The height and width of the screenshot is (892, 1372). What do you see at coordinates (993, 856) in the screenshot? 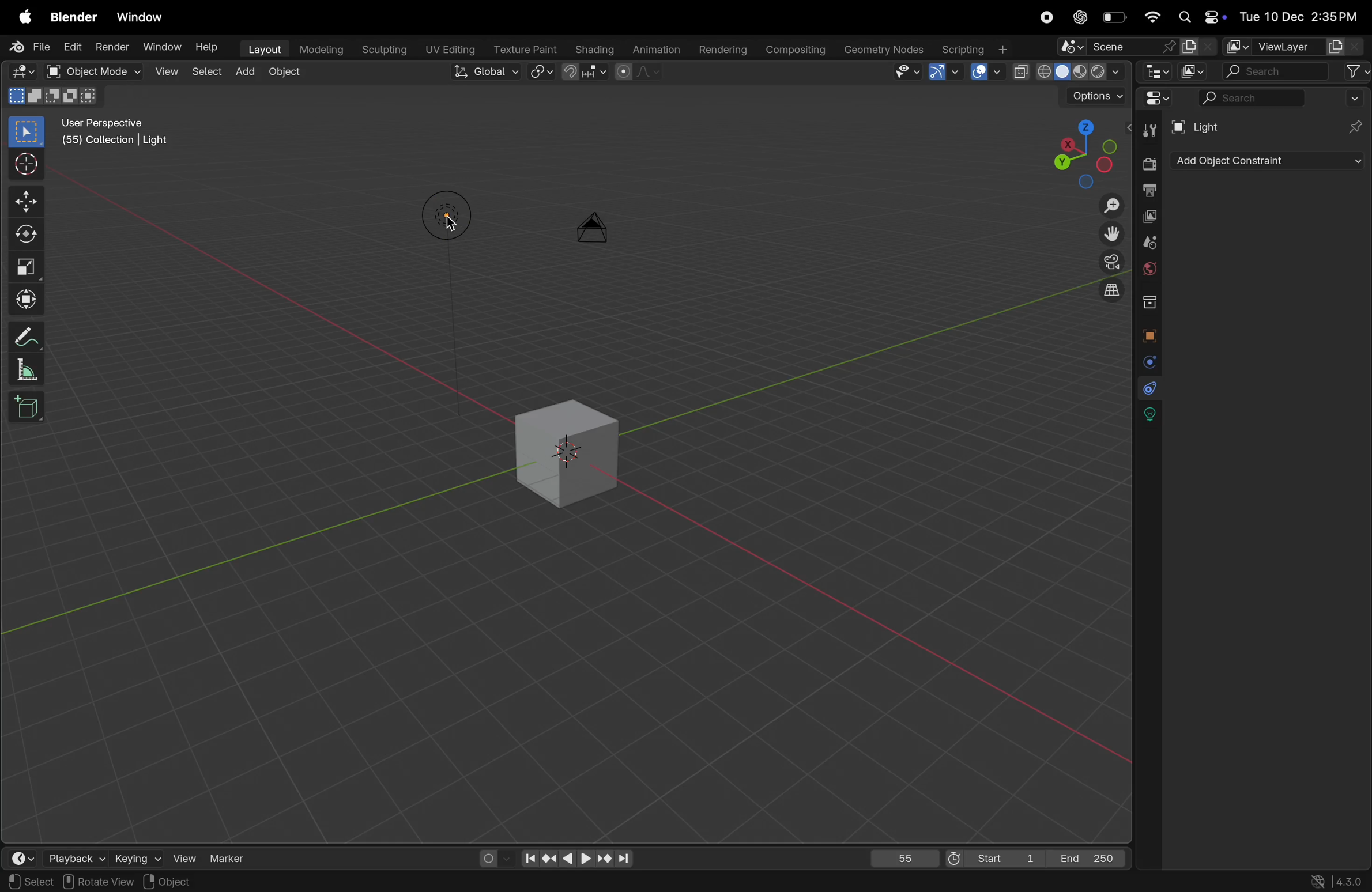
I see `Start 1` at bounding box center [993, 856].